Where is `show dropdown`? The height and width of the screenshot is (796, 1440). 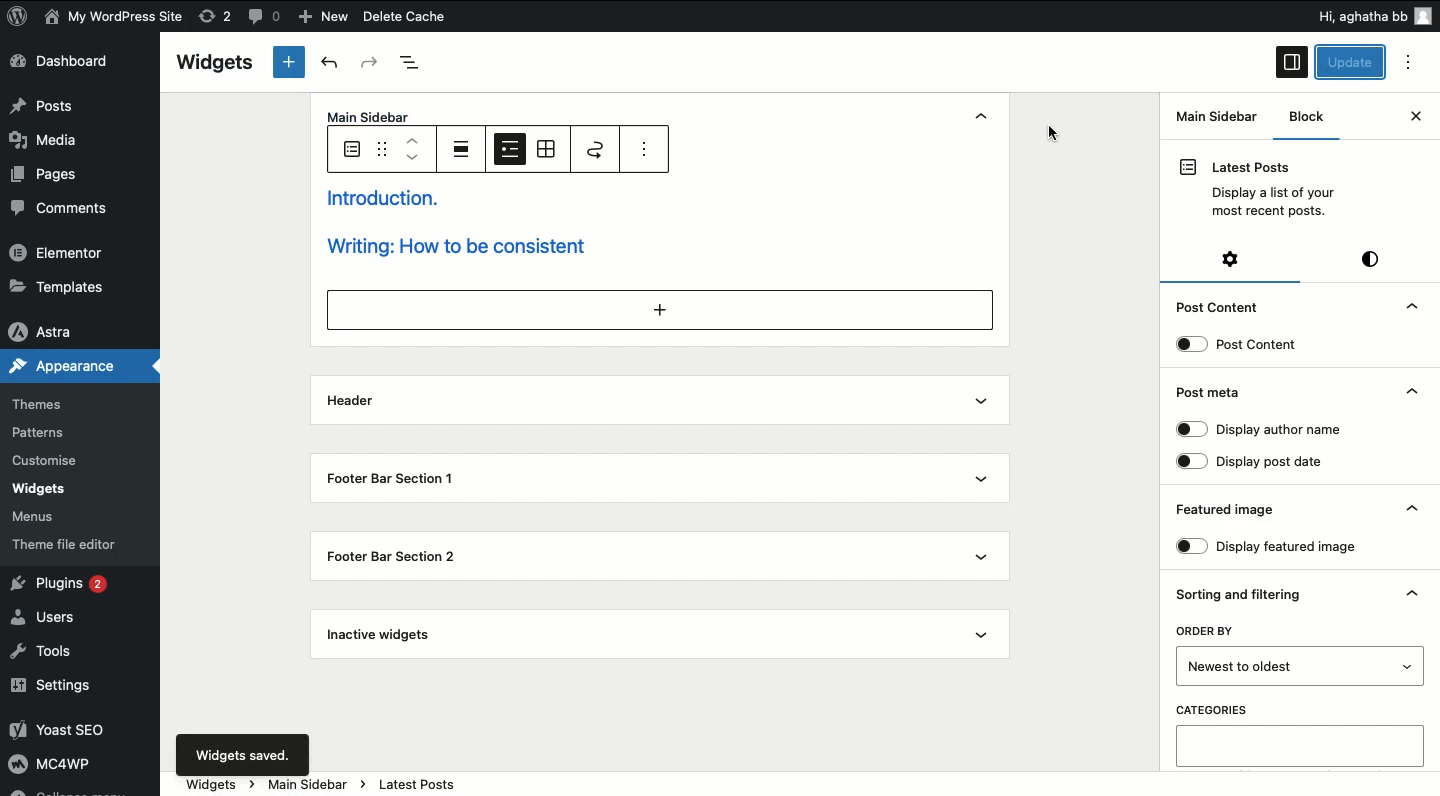 show dropdown is located at coordinates (985, 511).